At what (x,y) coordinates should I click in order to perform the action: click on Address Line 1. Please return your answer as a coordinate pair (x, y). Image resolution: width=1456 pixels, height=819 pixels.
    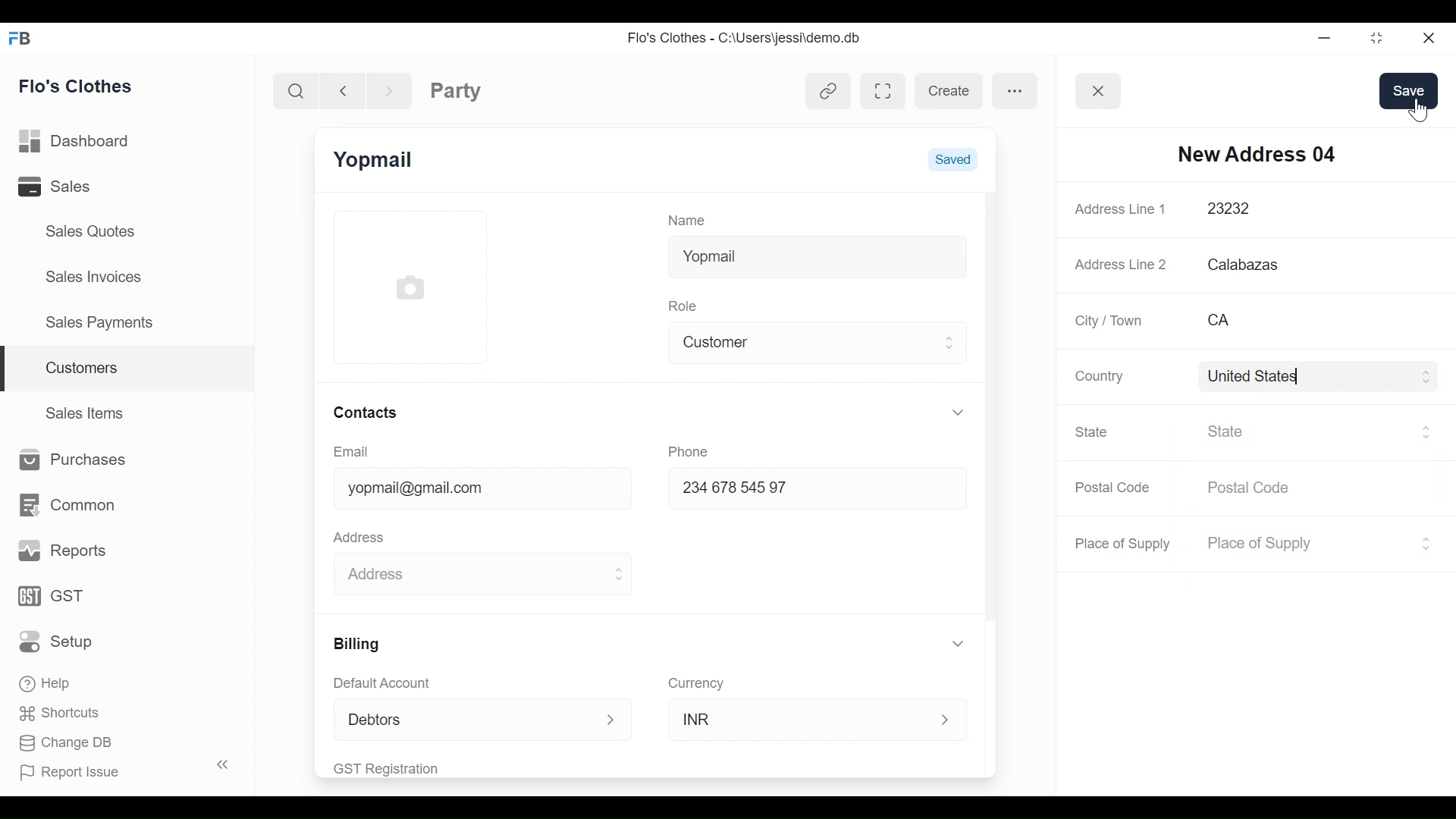
    Looking at the image, I should click on (1122, 209).